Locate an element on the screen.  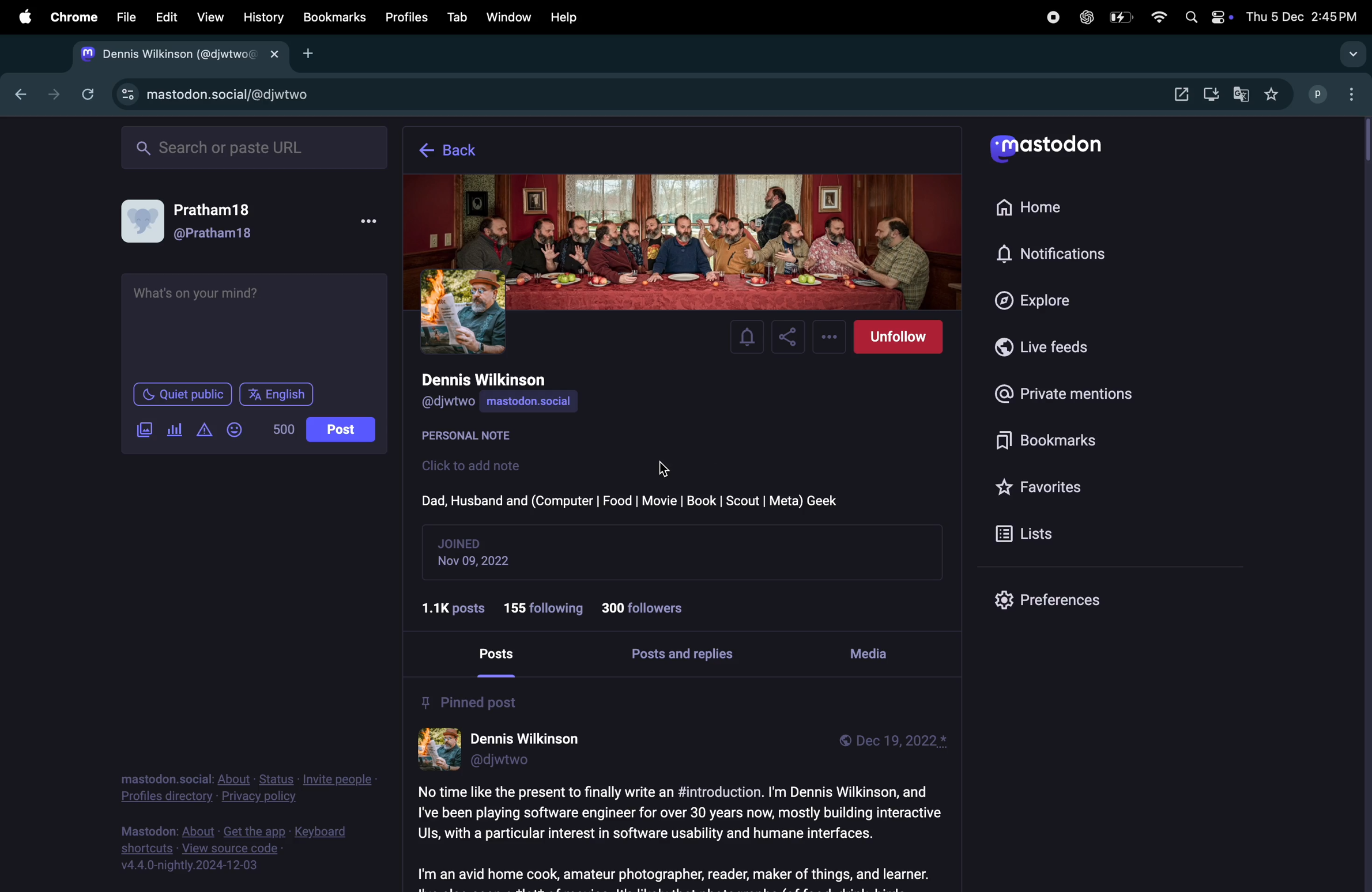
profiles is located at coordinates (410, 17).